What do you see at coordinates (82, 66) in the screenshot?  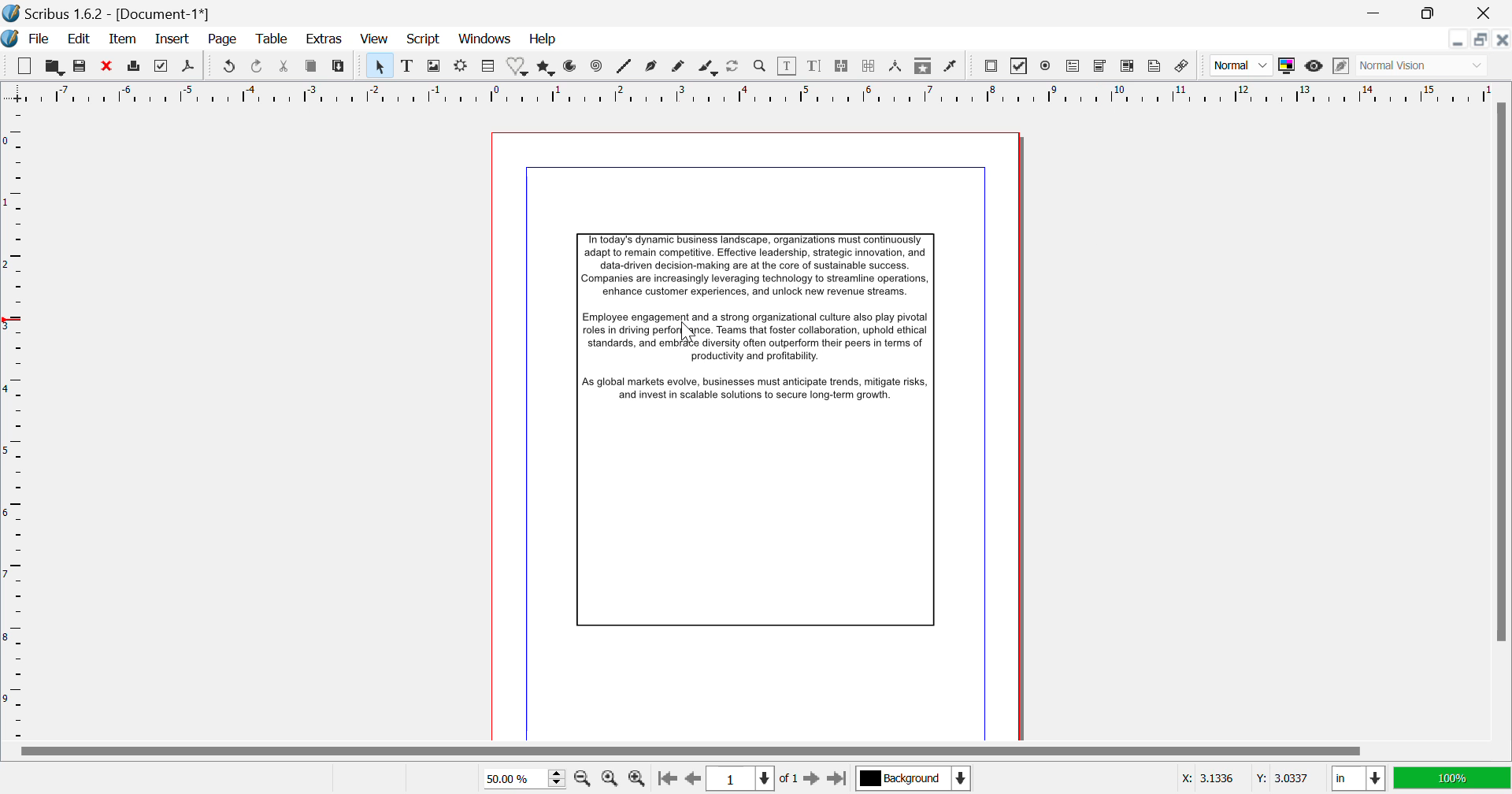 I see `Save` at bounding box center [82, 66].